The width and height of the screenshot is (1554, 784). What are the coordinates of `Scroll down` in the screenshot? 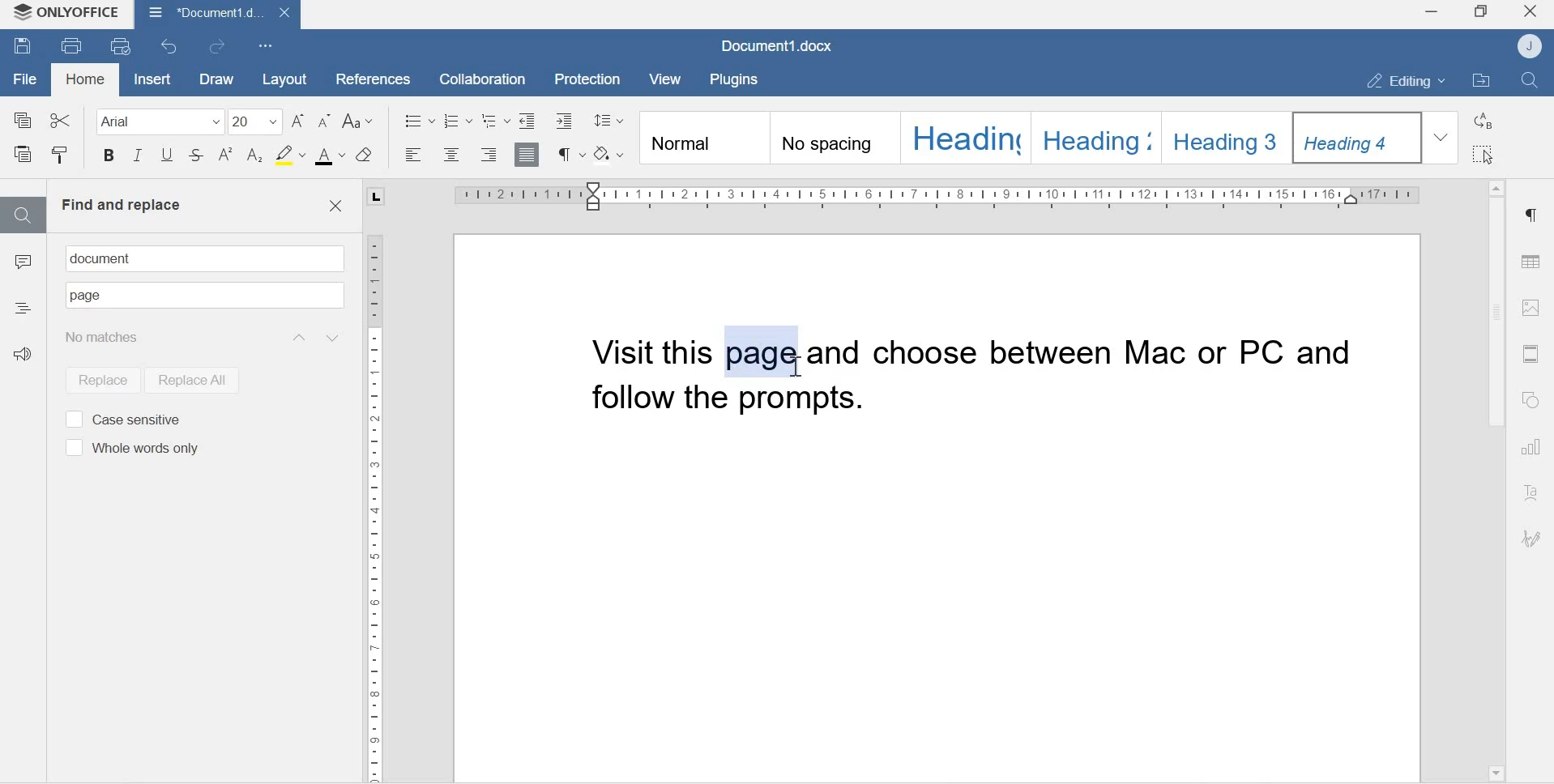 It's located at (1495, 771).